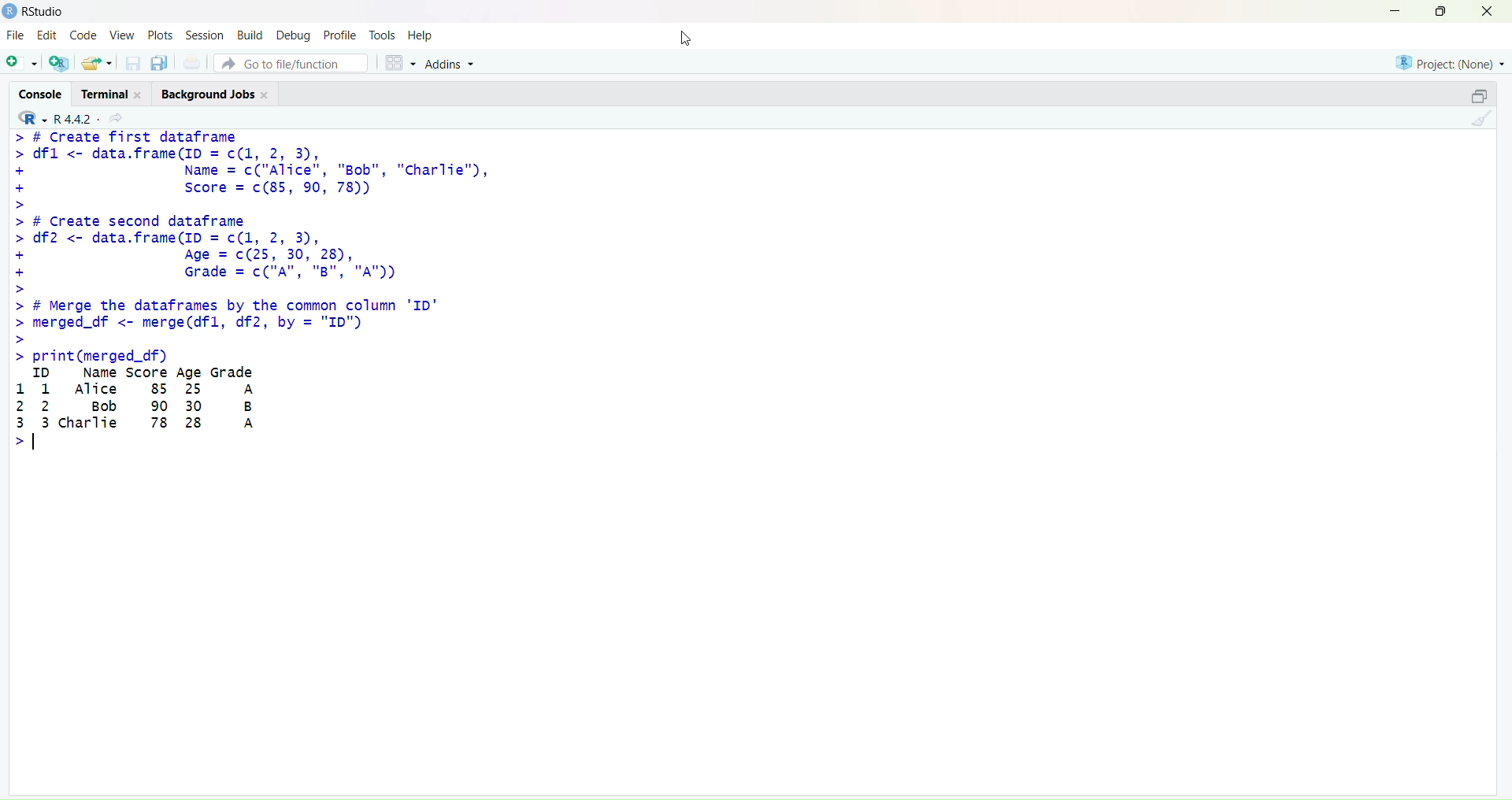  What do you see at coordinates (133, 64) in the screenshot?
I see `save current document` at bounding box center [133, 64].